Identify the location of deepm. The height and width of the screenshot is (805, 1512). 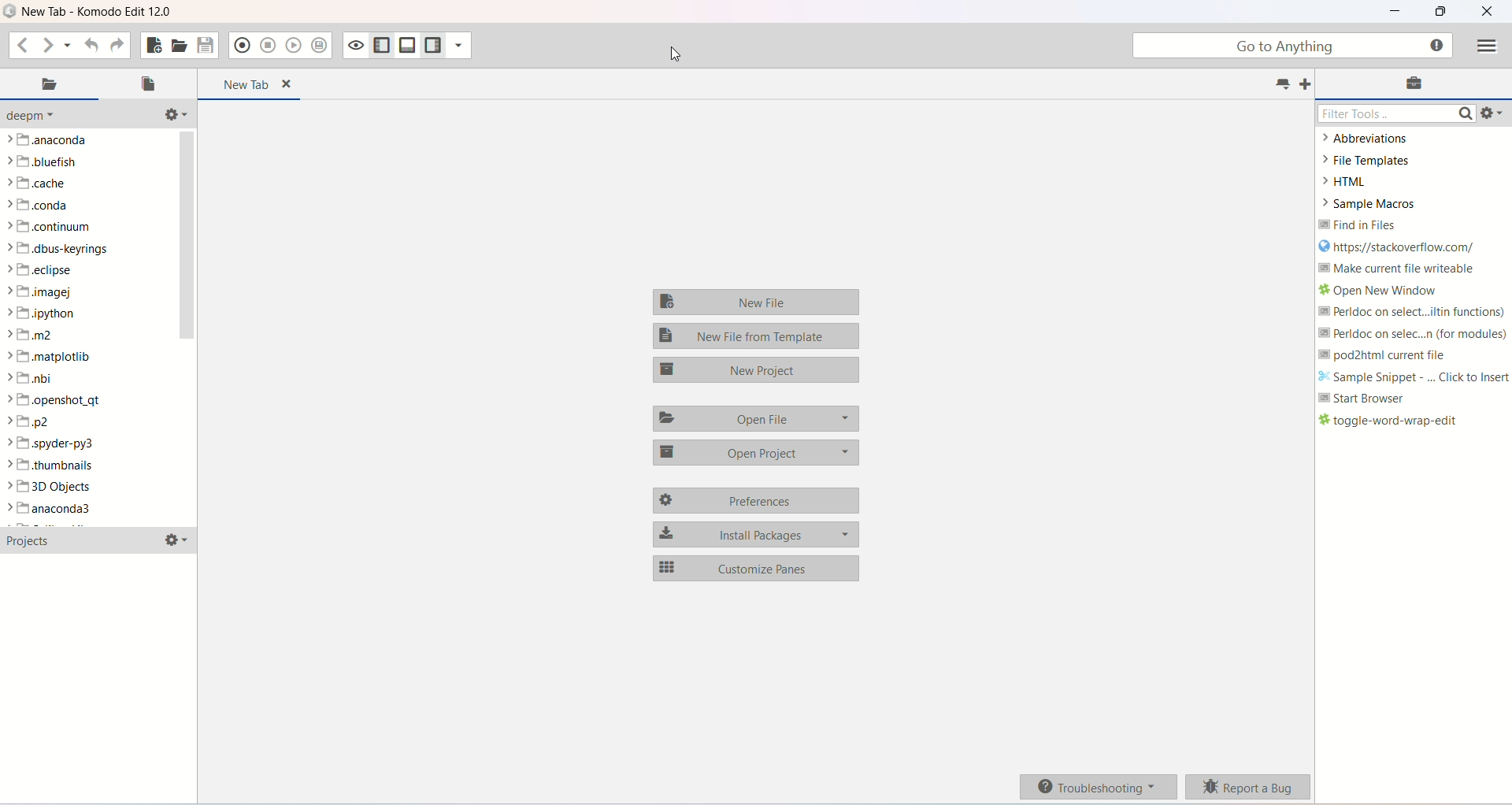
(36, 117).